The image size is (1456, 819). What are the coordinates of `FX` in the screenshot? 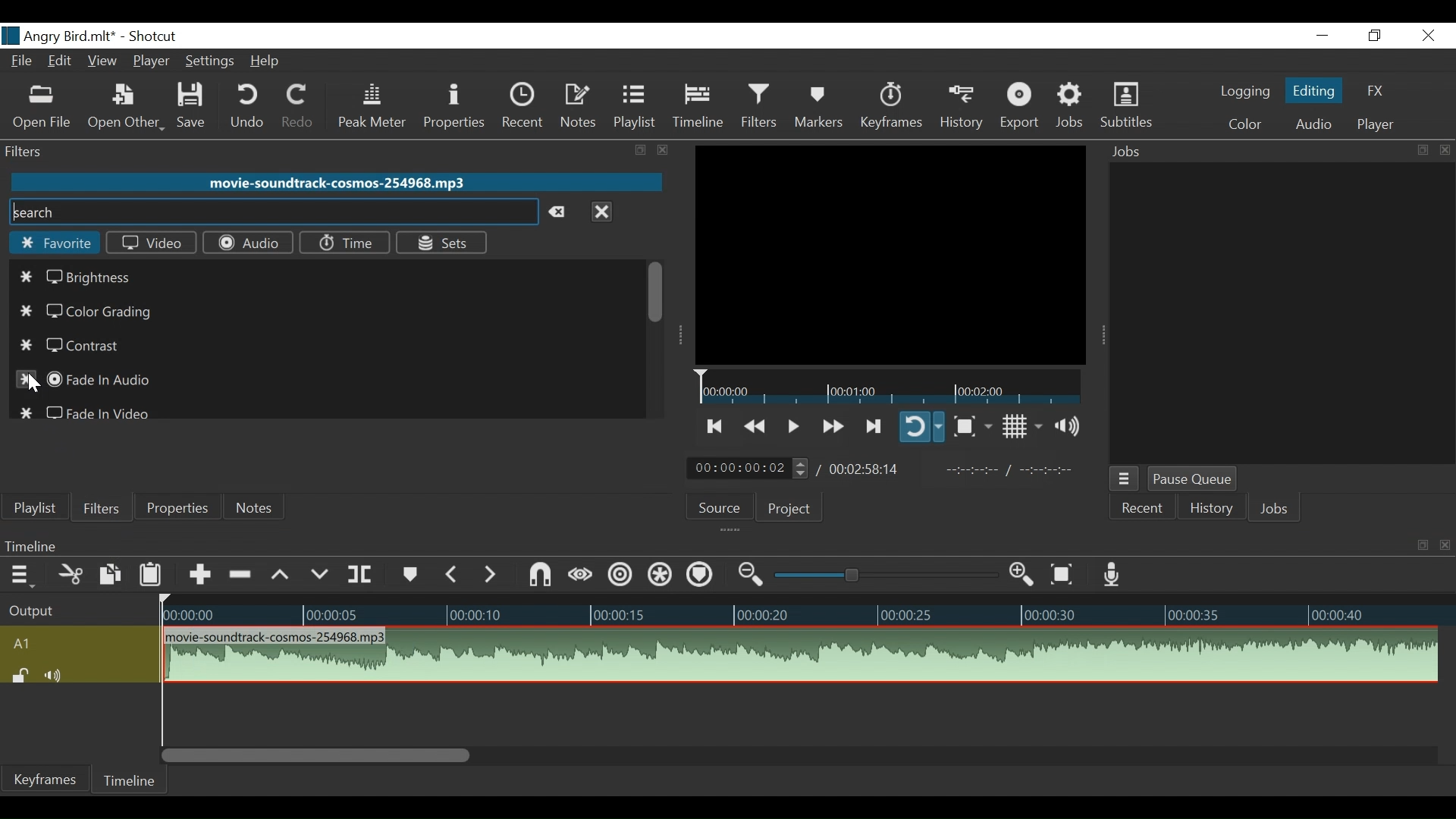 It's located at (1373, 91).